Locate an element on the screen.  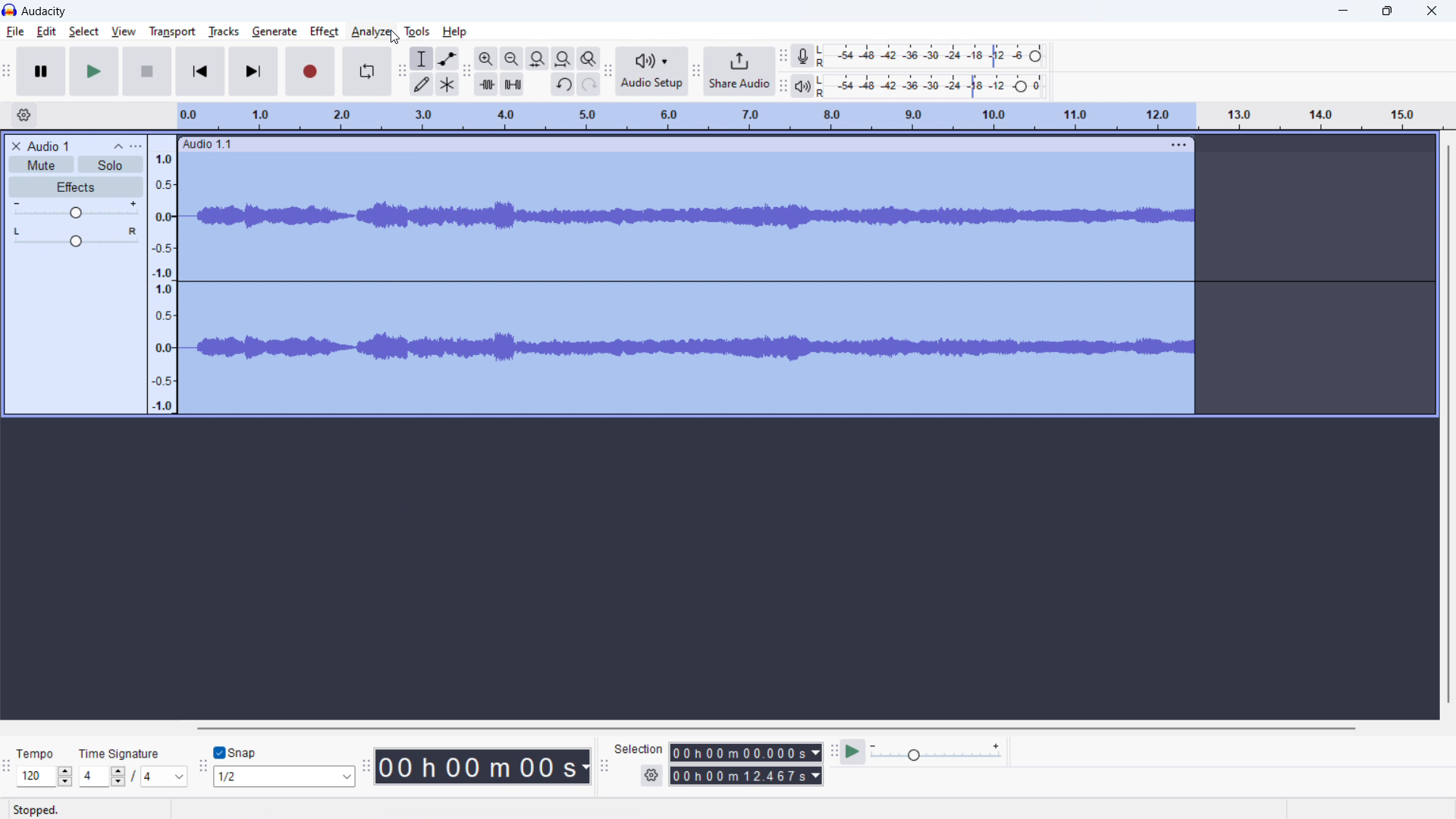
time toolbar is located at coordinates (366, 767).